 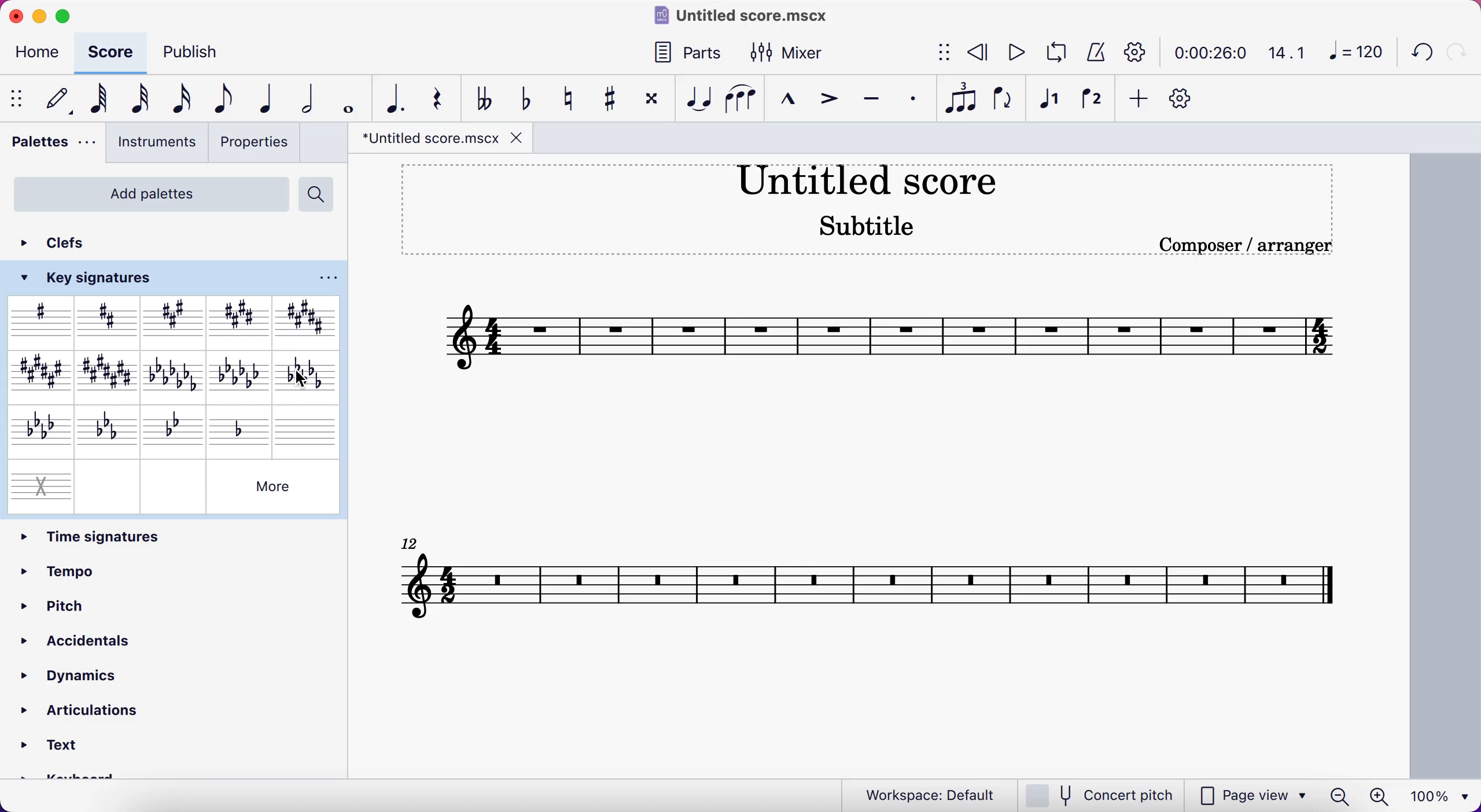 I want to click on tenuto, so click(x=875, y=104).